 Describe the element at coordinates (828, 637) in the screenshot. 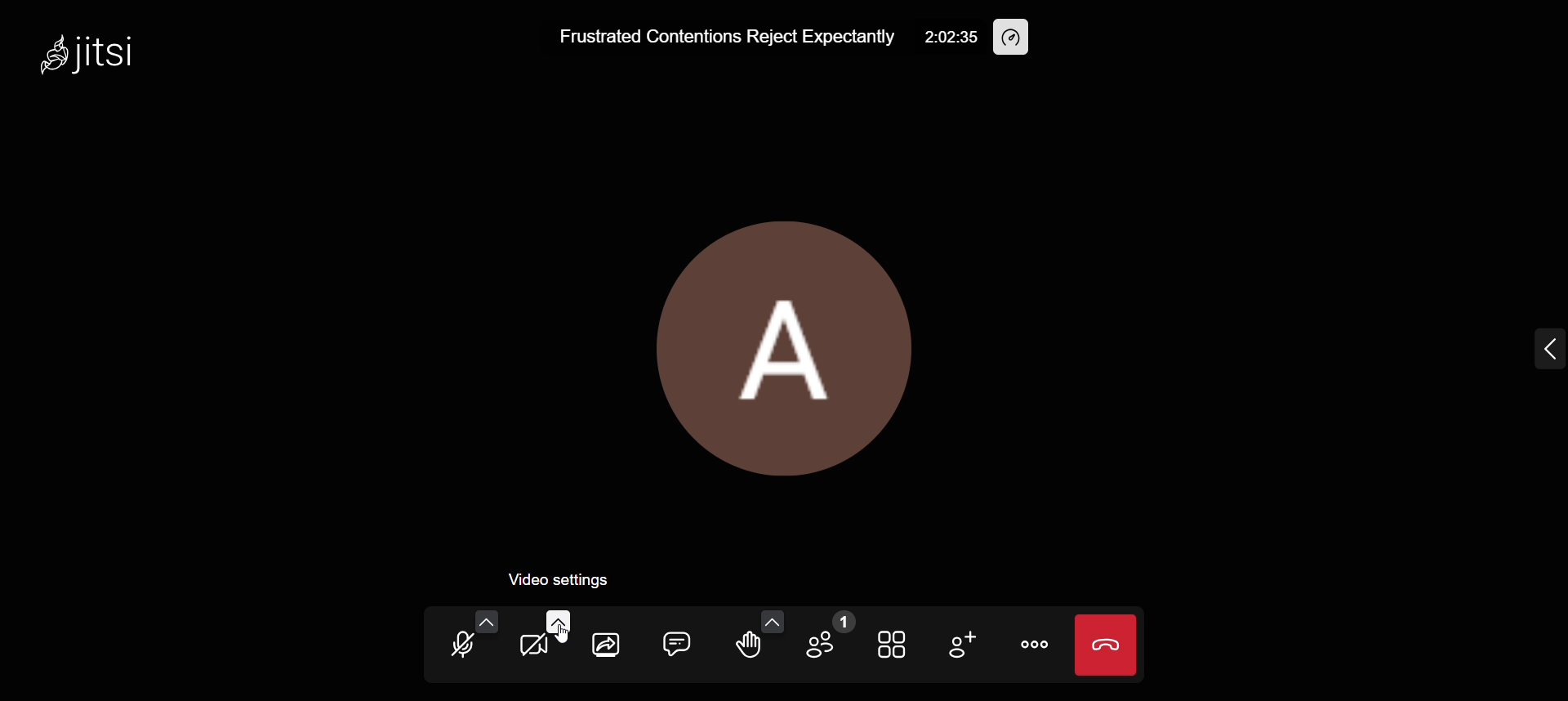

I see `participants` at that location.